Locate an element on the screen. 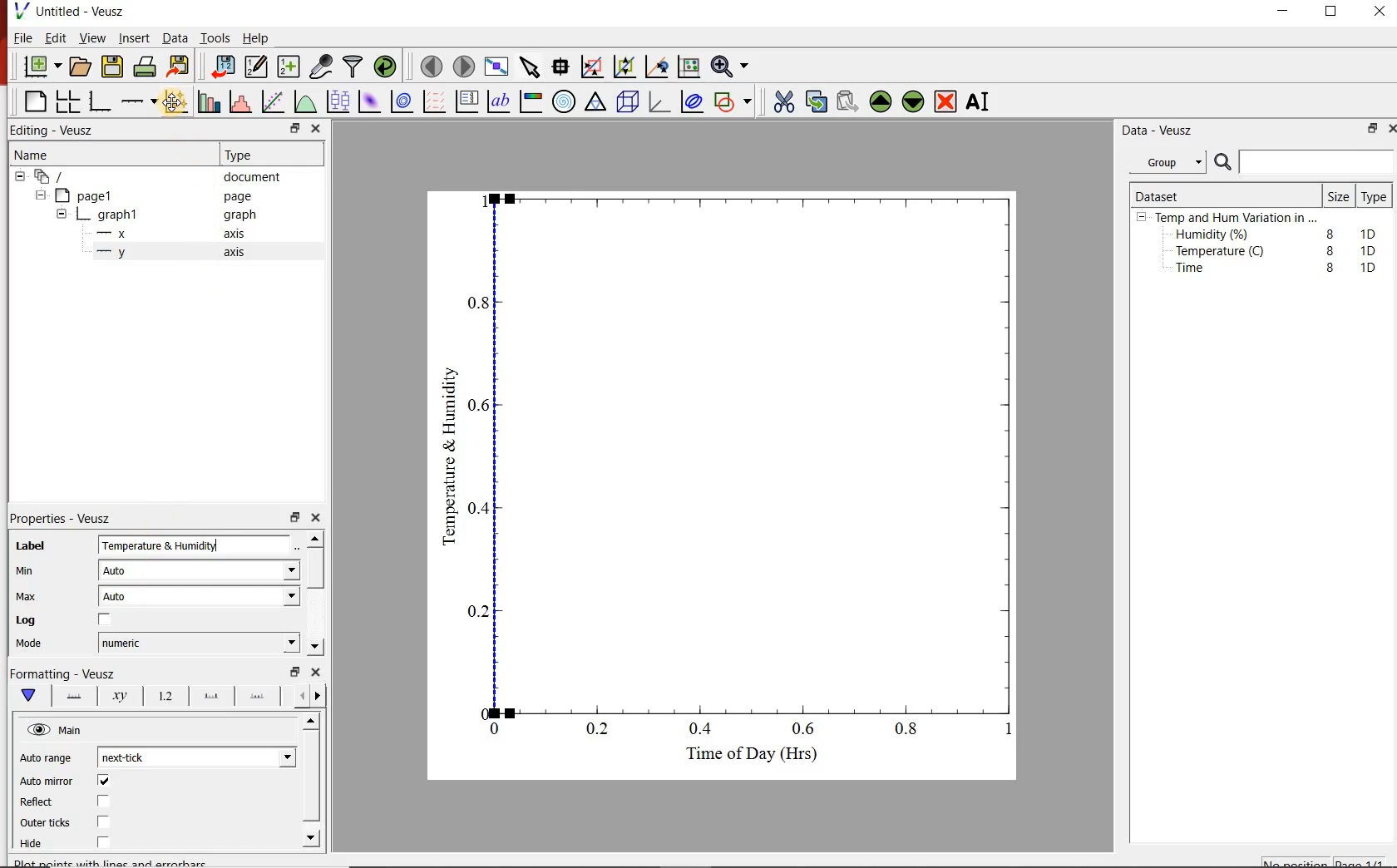  Move the selected widget down is located at coordinates (916, 101).